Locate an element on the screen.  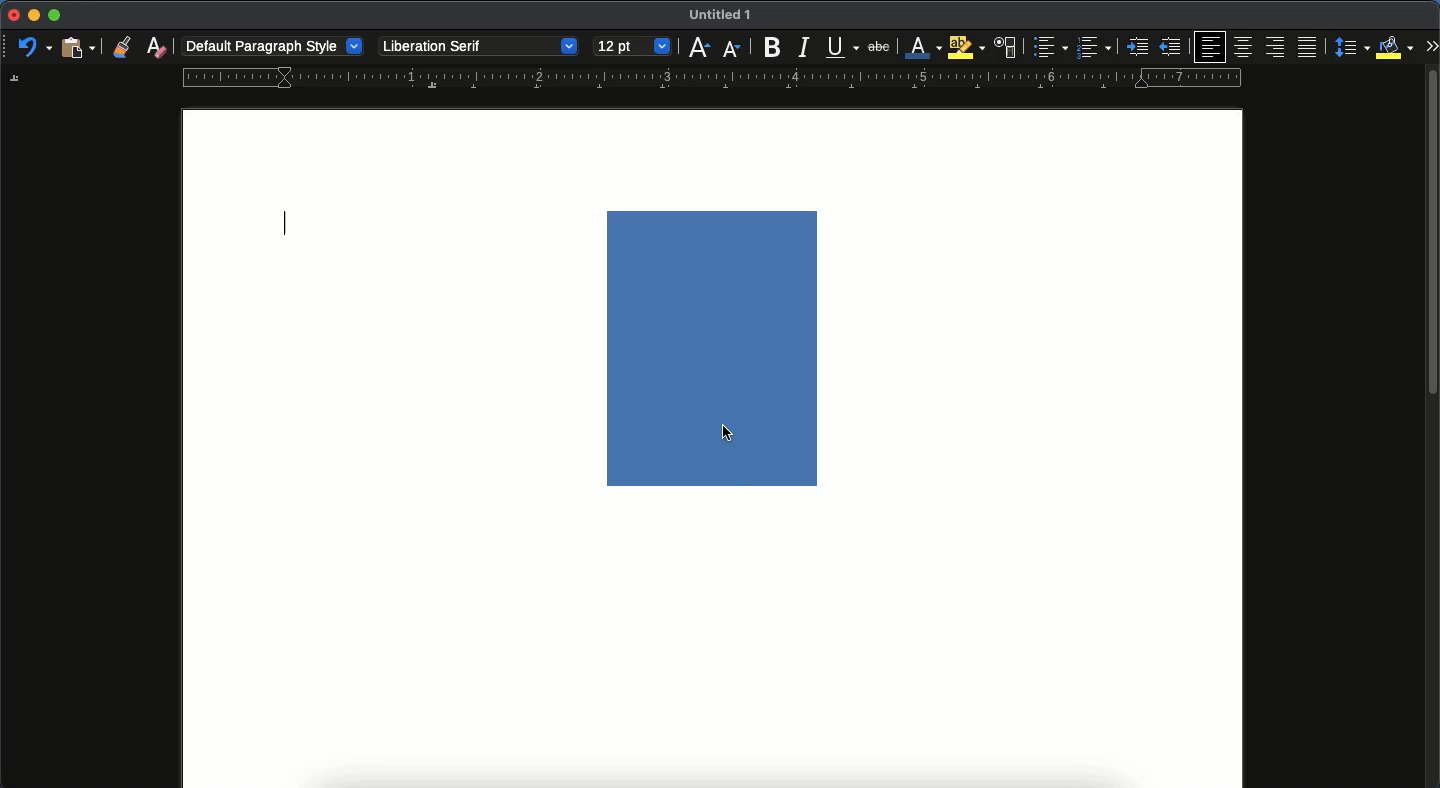
image is located at coordinates (715, 313).